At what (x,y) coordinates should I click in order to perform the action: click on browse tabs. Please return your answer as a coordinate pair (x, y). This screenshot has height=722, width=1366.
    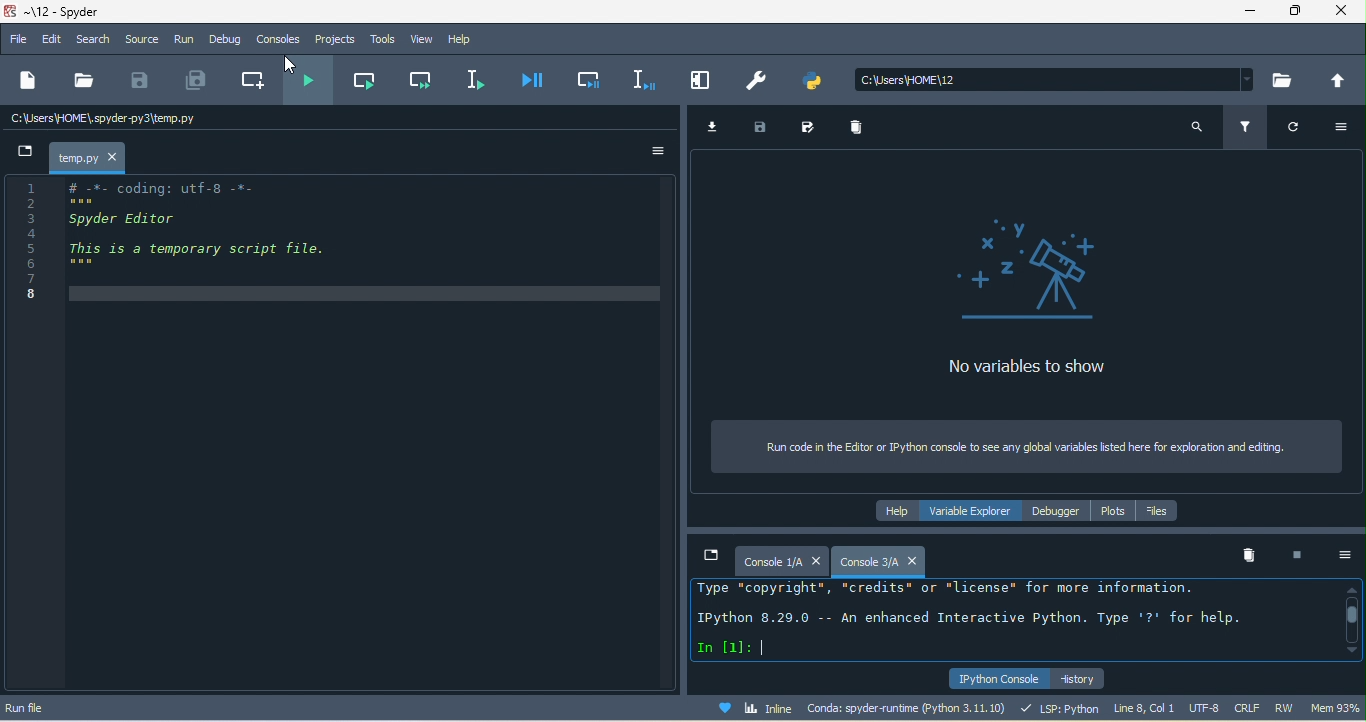
    Looking at the image, I should click on (20, 155).